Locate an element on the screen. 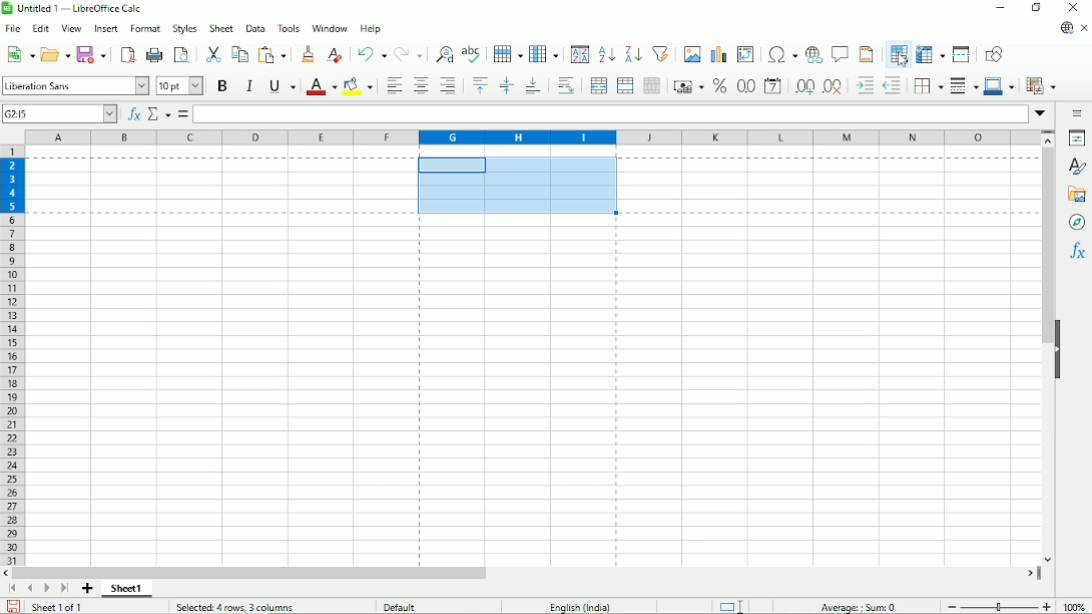  Scroll to first page is located at coordinates (12, 588).